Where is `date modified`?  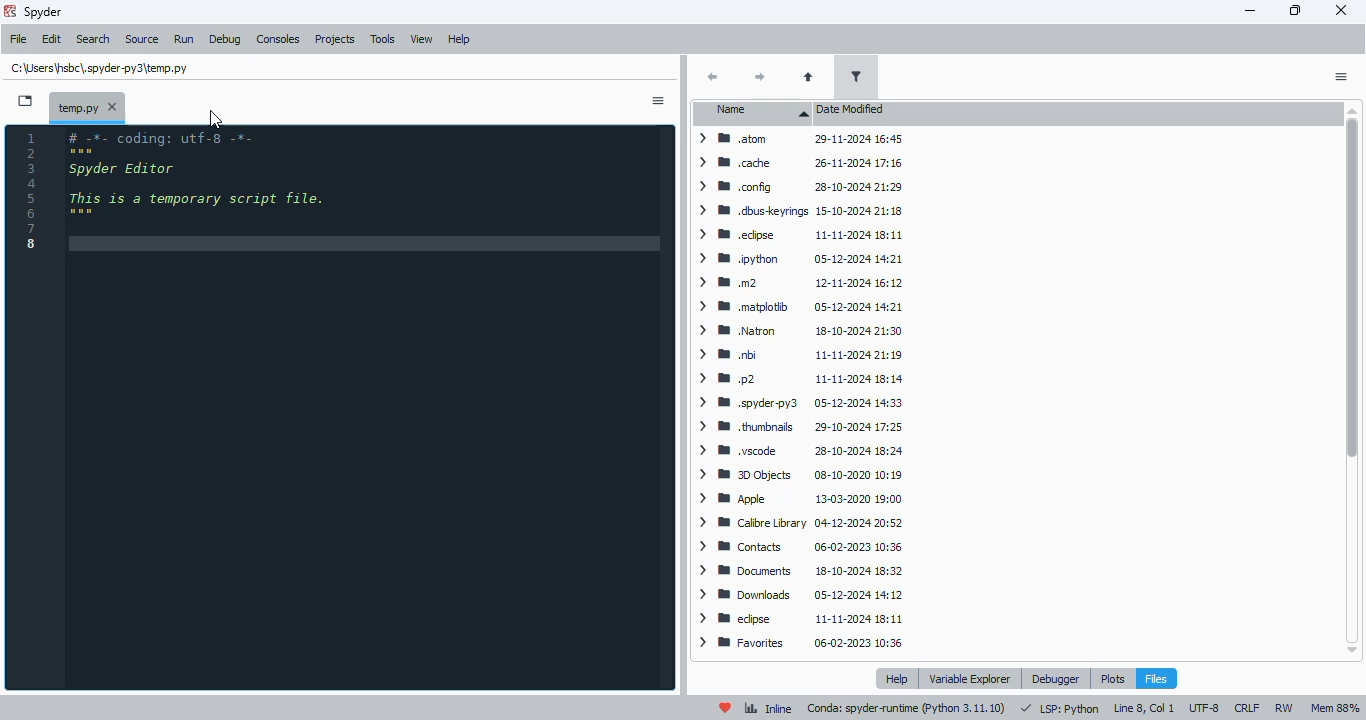
date modified is located at coordinates (852, 110).